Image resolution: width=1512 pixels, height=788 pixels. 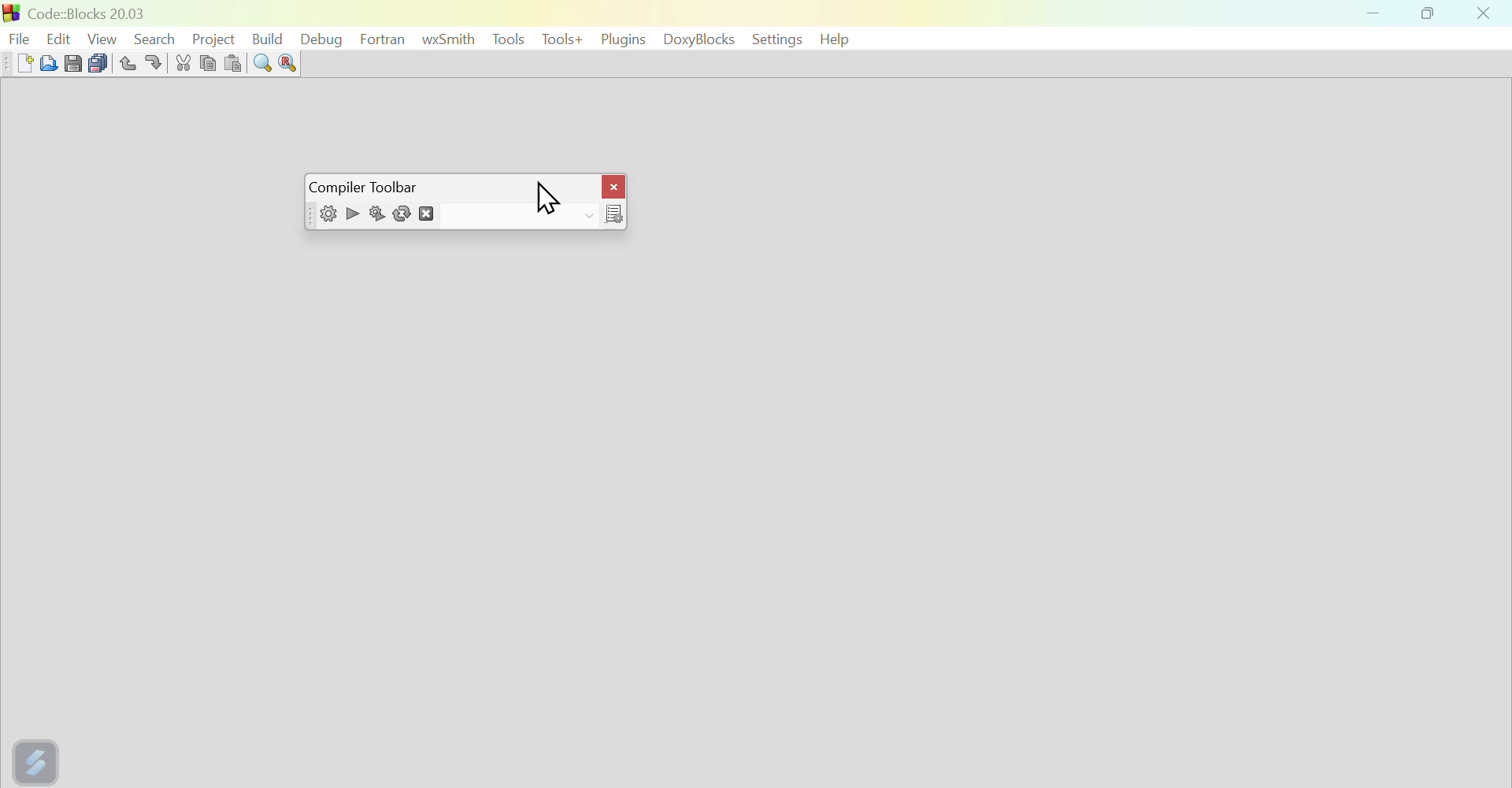 What do you see at coordinates (73, 61) in the screenshot?
I see `` at bounding box center [73, 61].